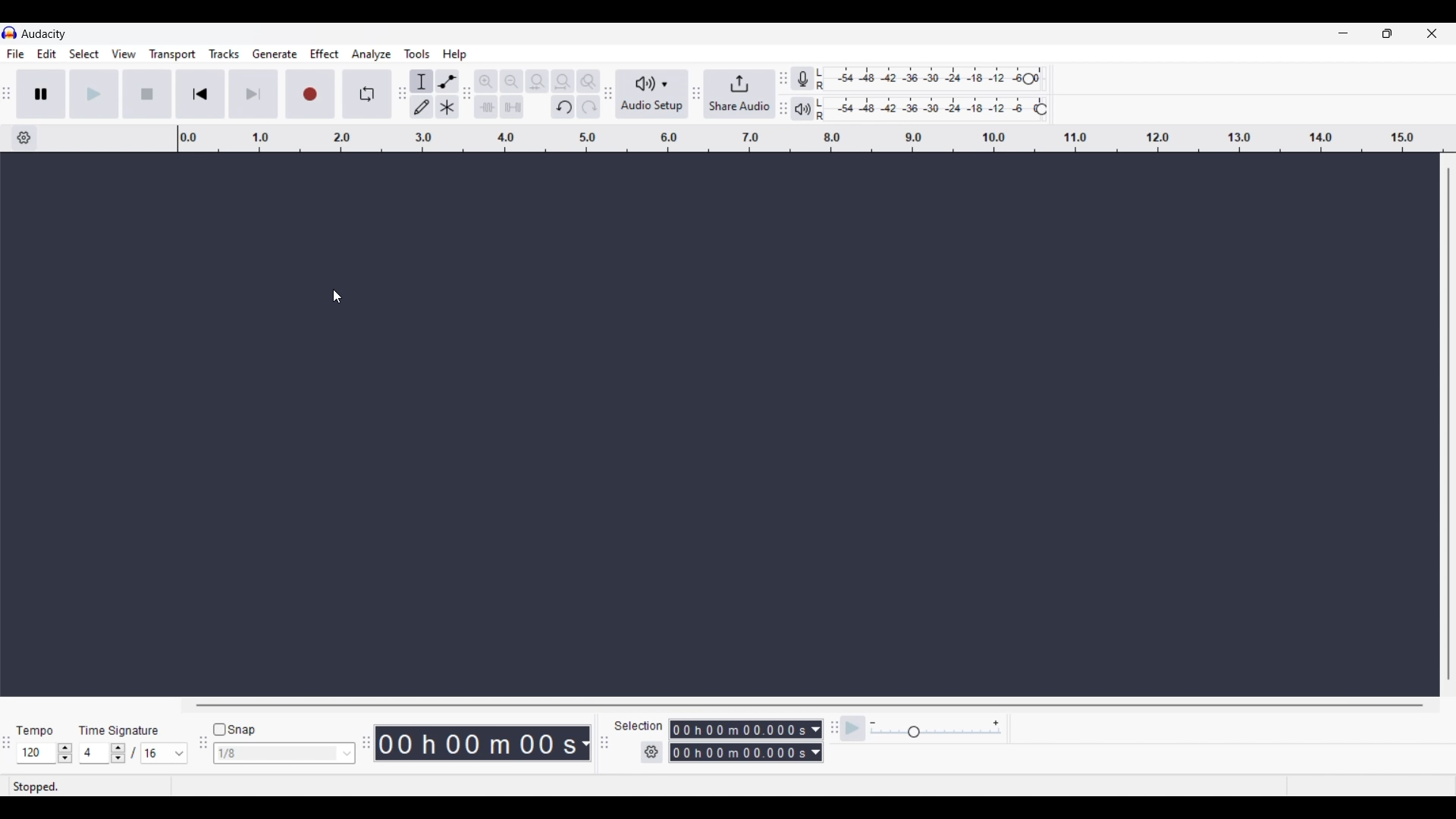 The width and height of the screenshot is (1456, 819). What do you see at coordinates (853, 729) in the screenshot?
I see `Play-at-speed/Play-at-speed oncce` at bounding box center [853, 729].